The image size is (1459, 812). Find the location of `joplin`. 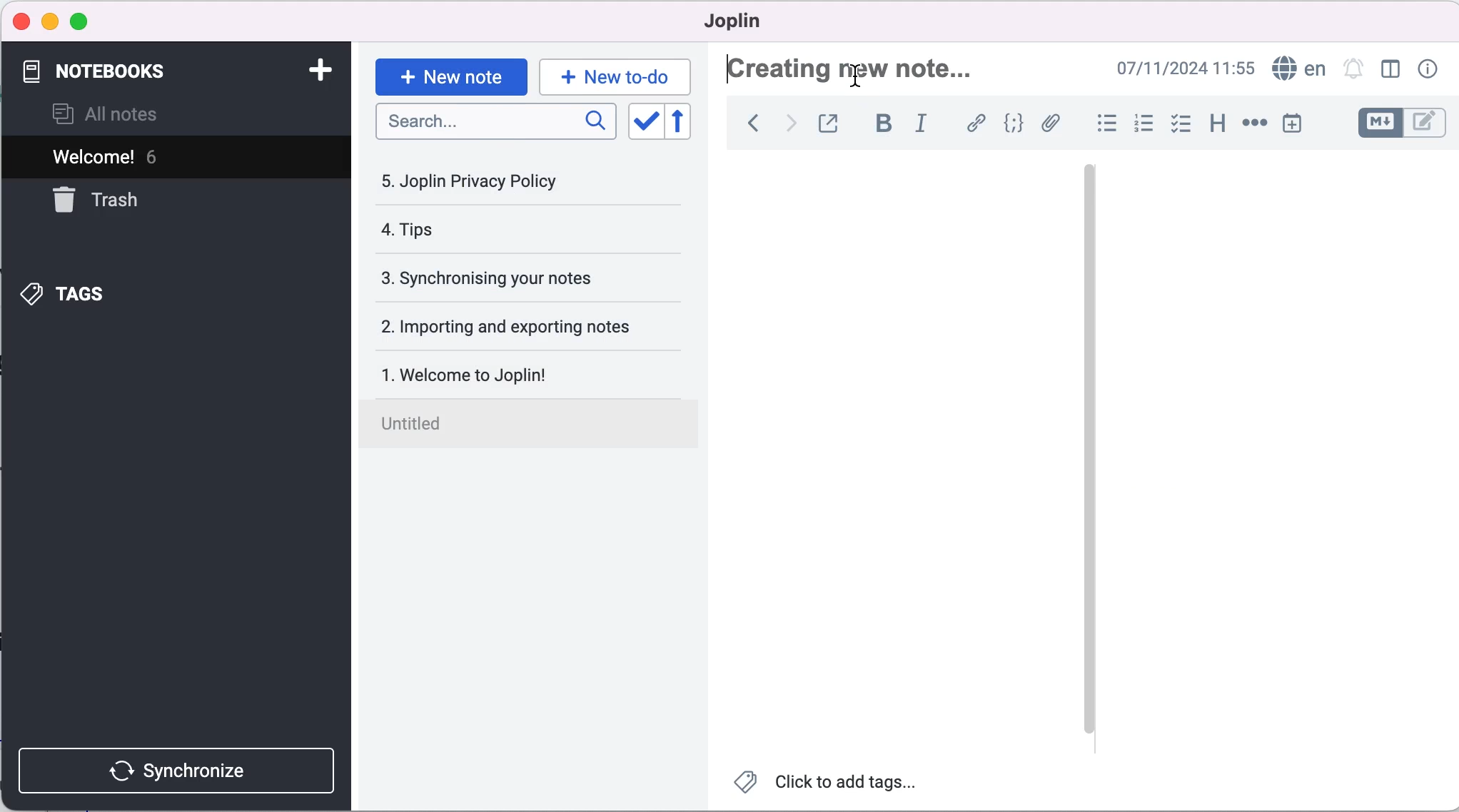

joplin is located at coordinates (739, 25).